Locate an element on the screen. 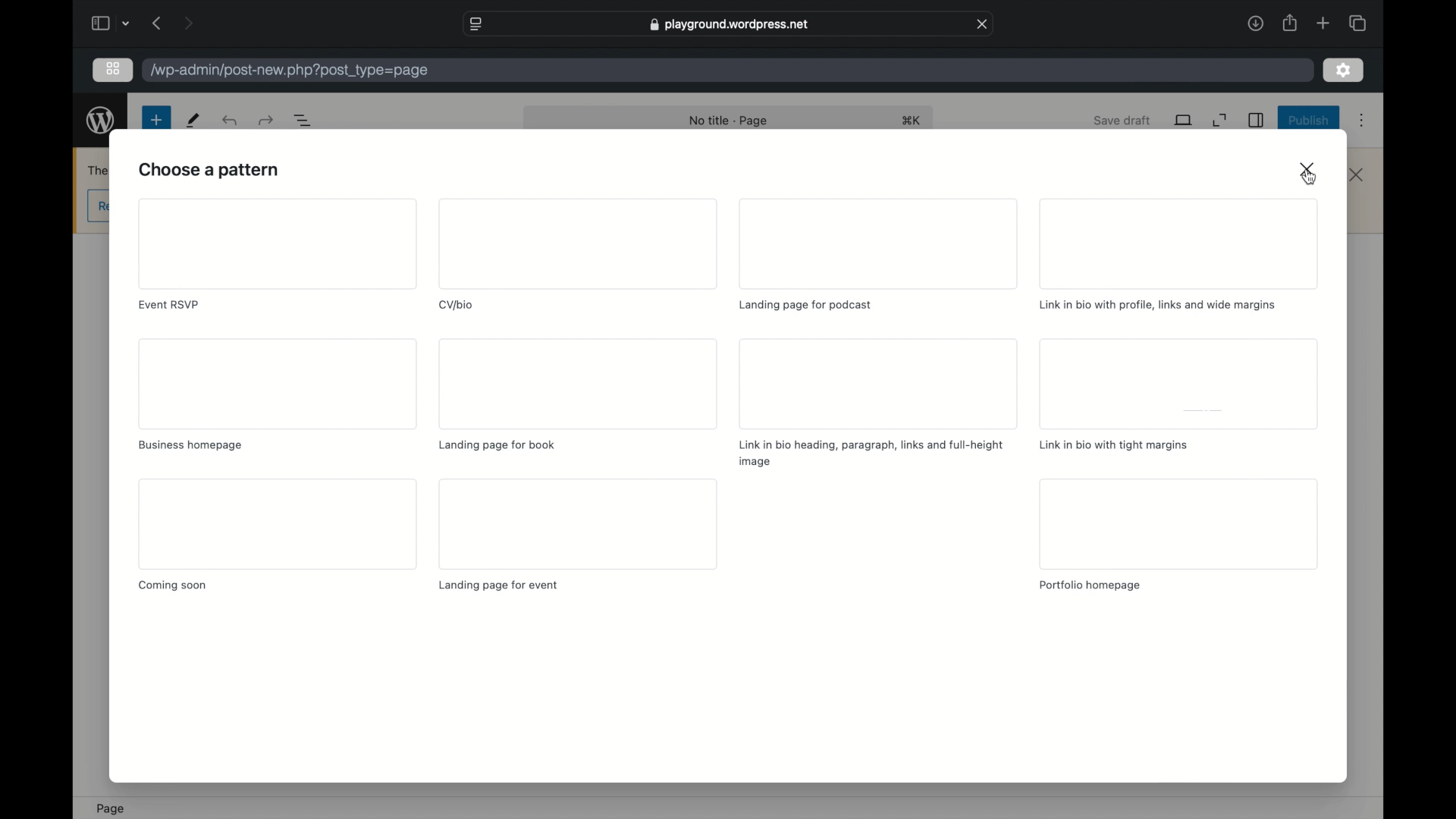  web address is located at coordinates (729, 25).